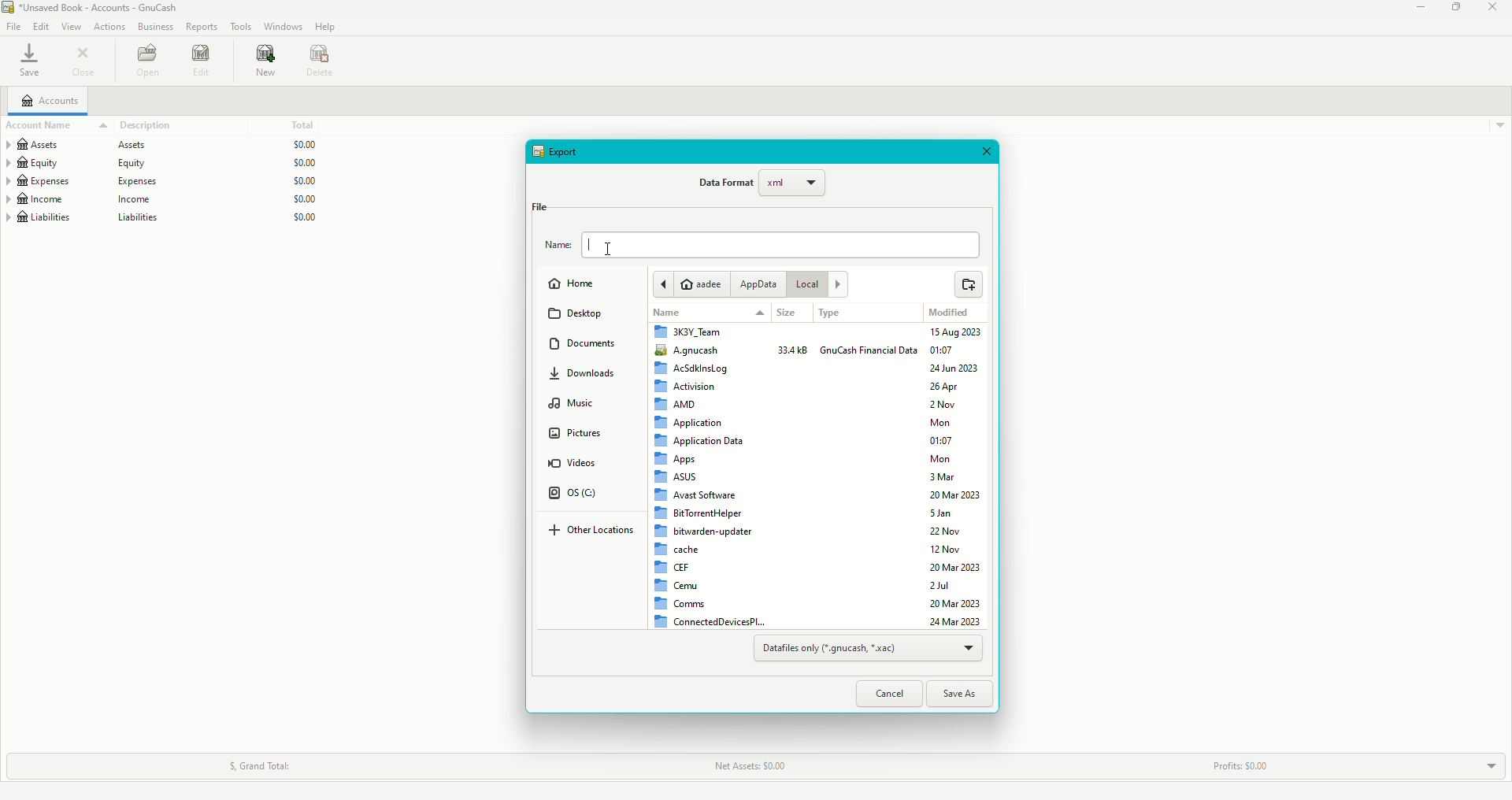 Image resolution: width=1512 pixels, height=800 pixels. Describe the element at coordinates (1455, 8) in the screenshot. I see `Restore` at that location.